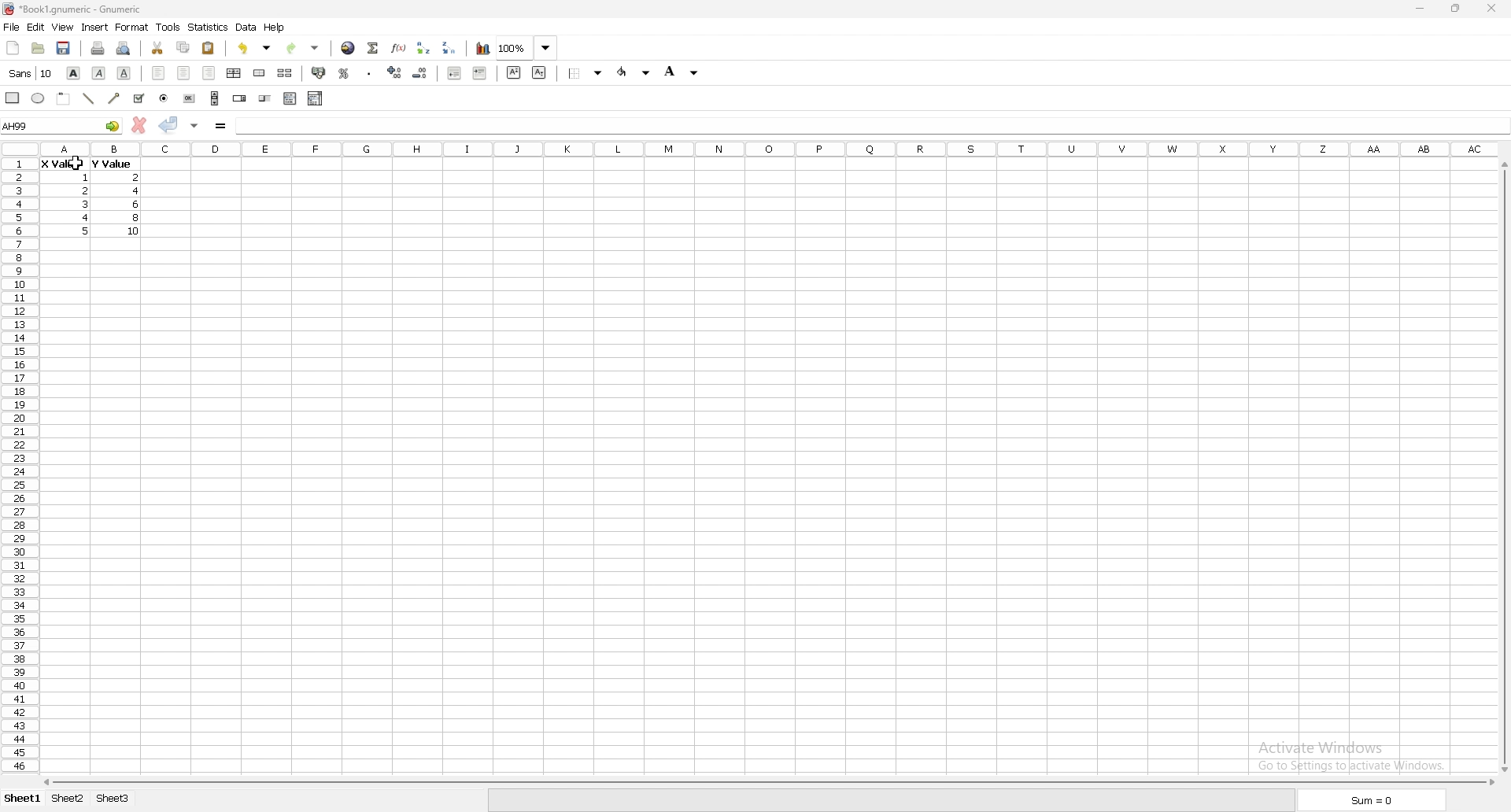 The image size is (1511, 812). Describe the element at coordinates (184, 72) in the screenshot. I see `centre` at that location.